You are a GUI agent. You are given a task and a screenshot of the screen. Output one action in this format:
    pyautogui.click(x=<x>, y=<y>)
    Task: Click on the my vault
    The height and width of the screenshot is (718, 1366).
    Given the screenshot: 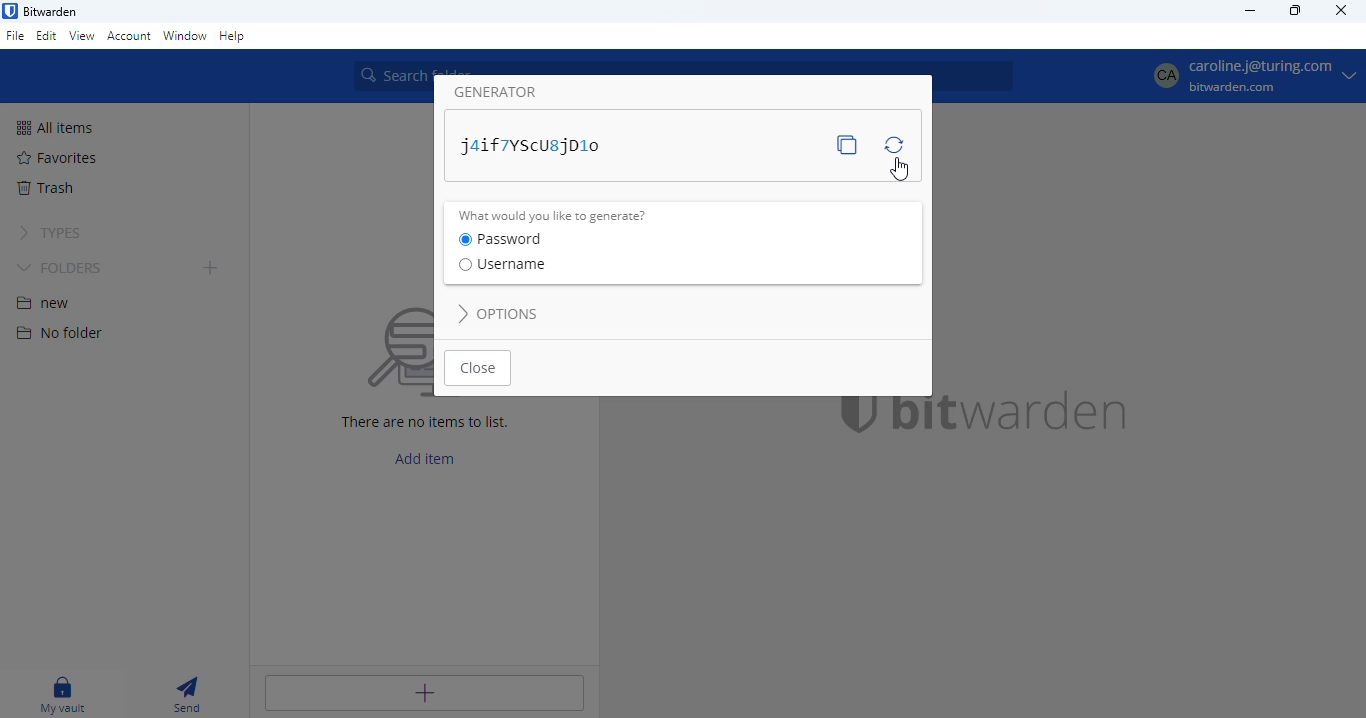 What is the action you would take?
    pyautogui.click(x=64, y=695)
    